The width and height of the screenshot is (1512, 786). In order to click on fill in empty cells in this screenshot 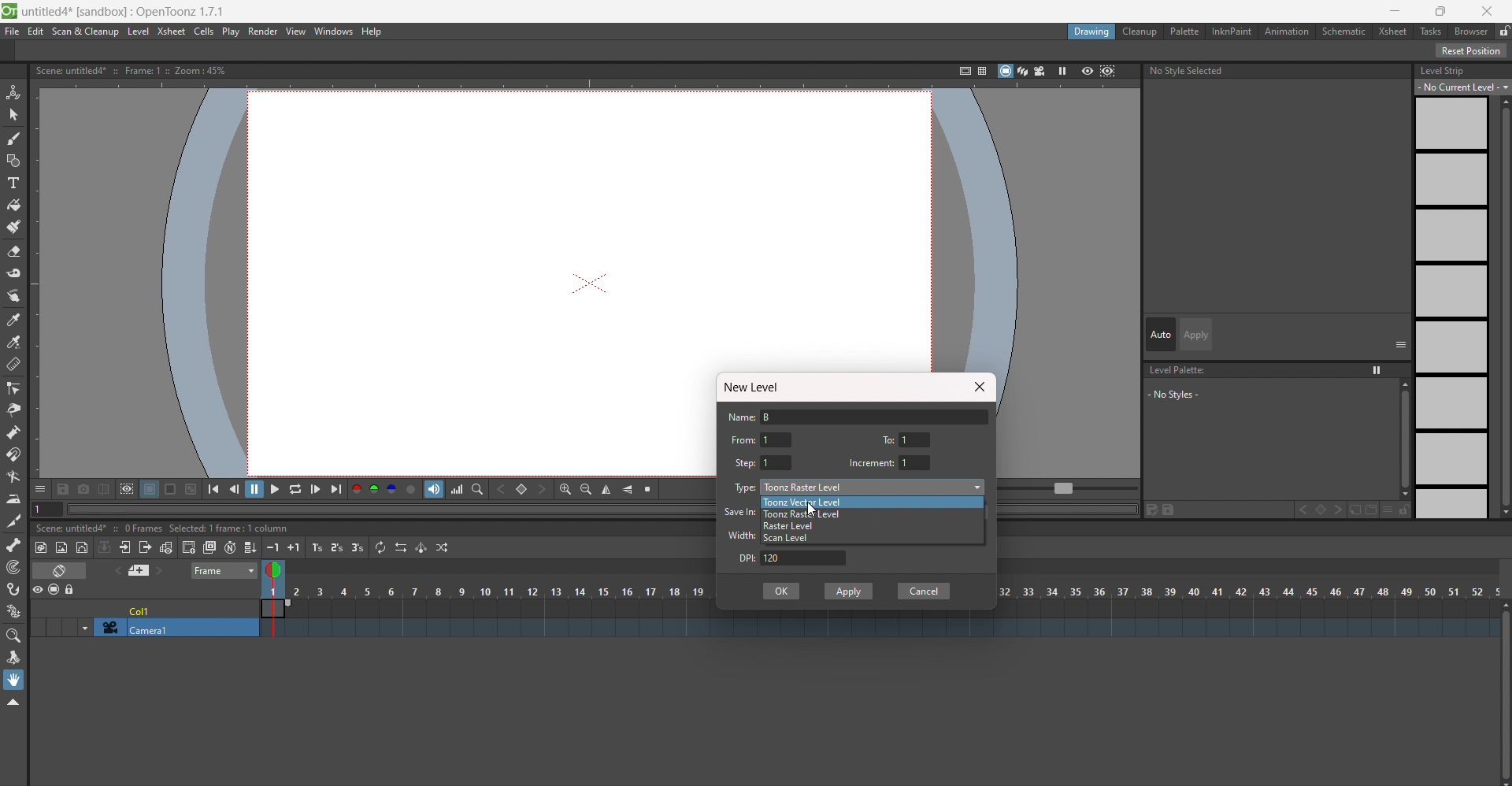, I will do `click(250, 546)`.